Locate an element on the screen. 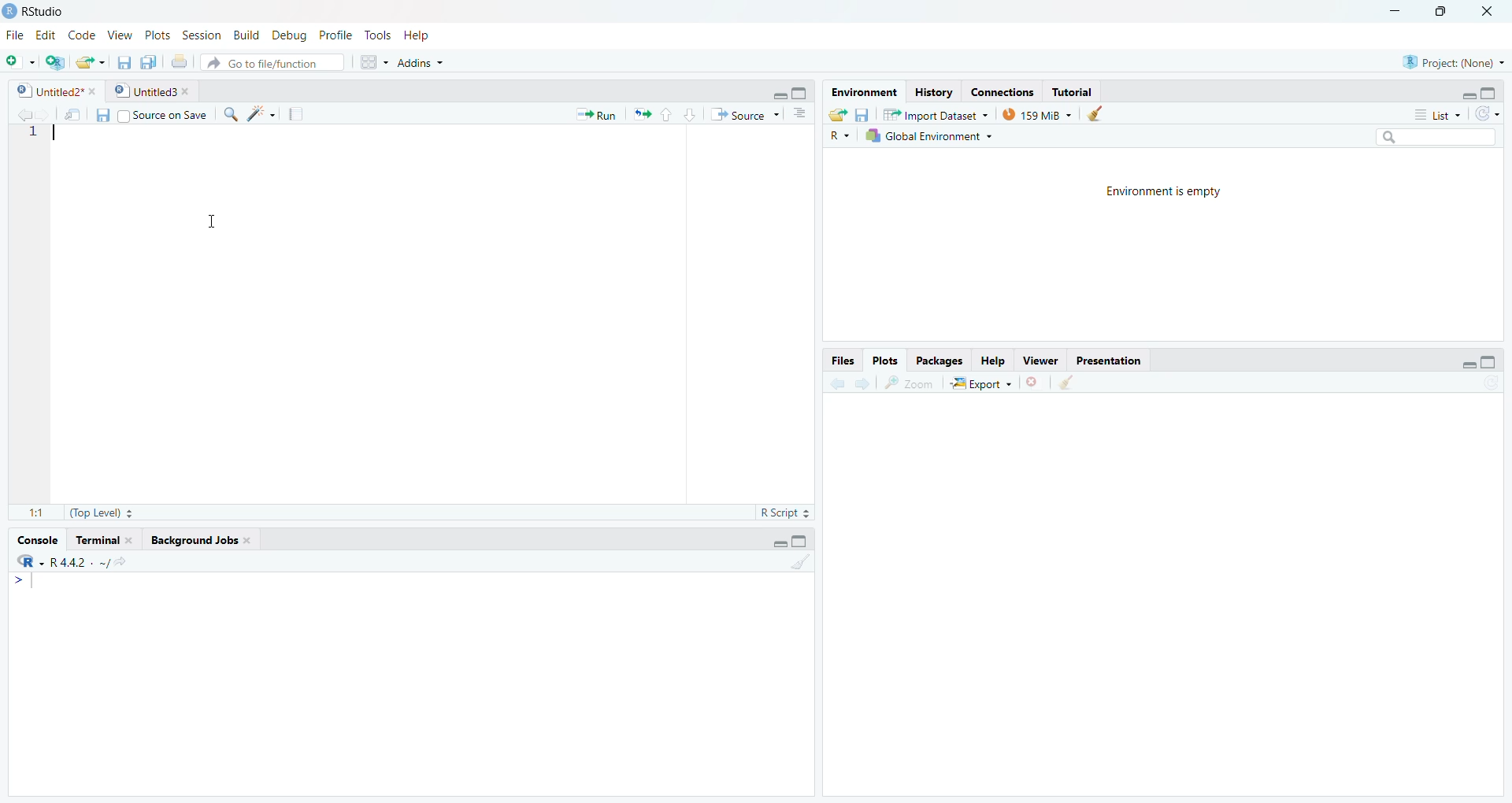  Workspace panes is located at coordinates (371, 62).